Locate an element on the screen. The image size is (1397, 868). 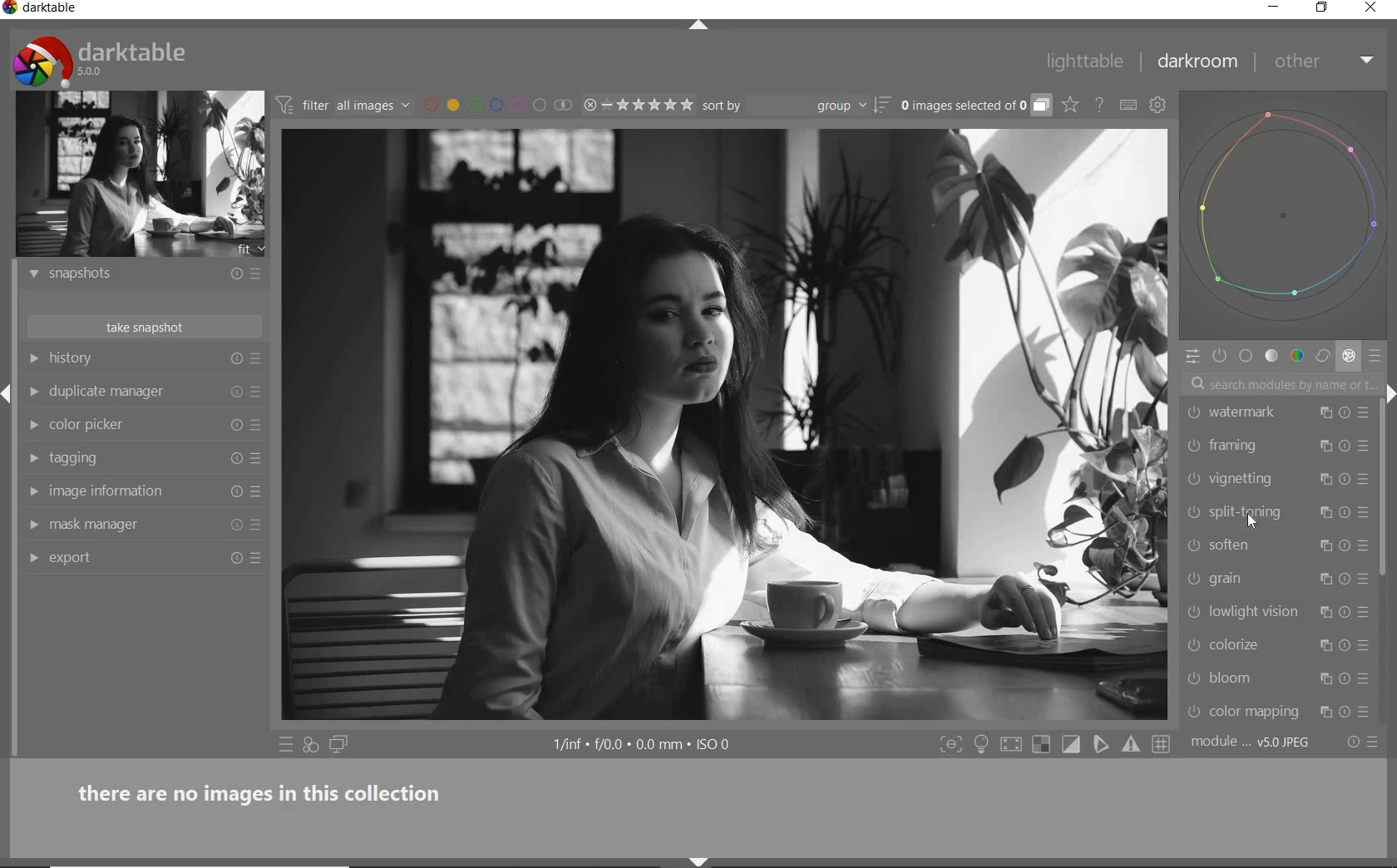
vignetting is located at coordinates (1254, 480).